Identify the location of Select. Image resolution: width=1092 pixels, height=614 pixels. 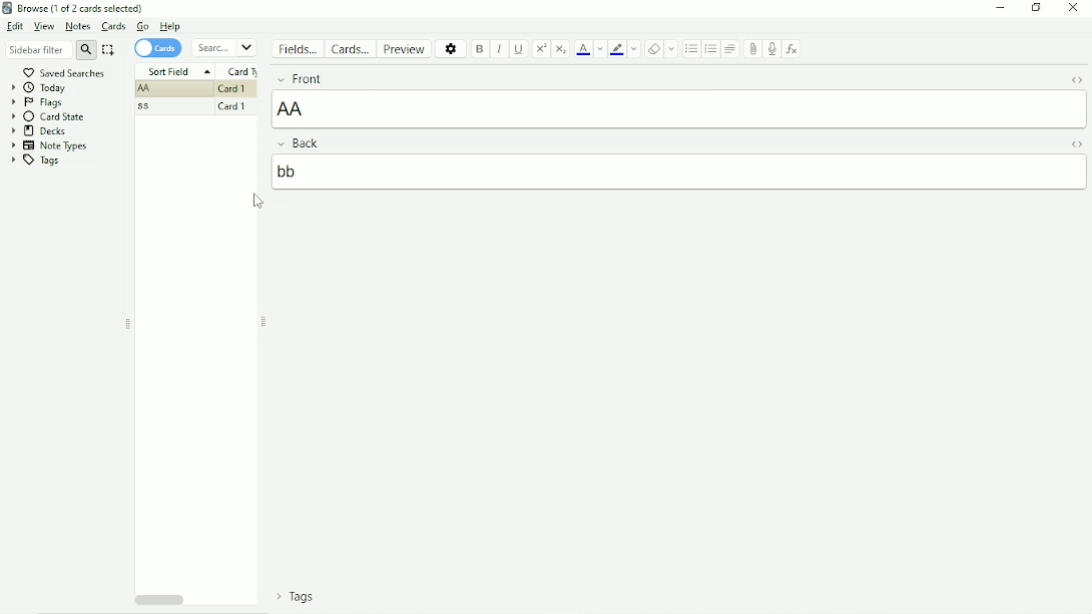
(109, 51).